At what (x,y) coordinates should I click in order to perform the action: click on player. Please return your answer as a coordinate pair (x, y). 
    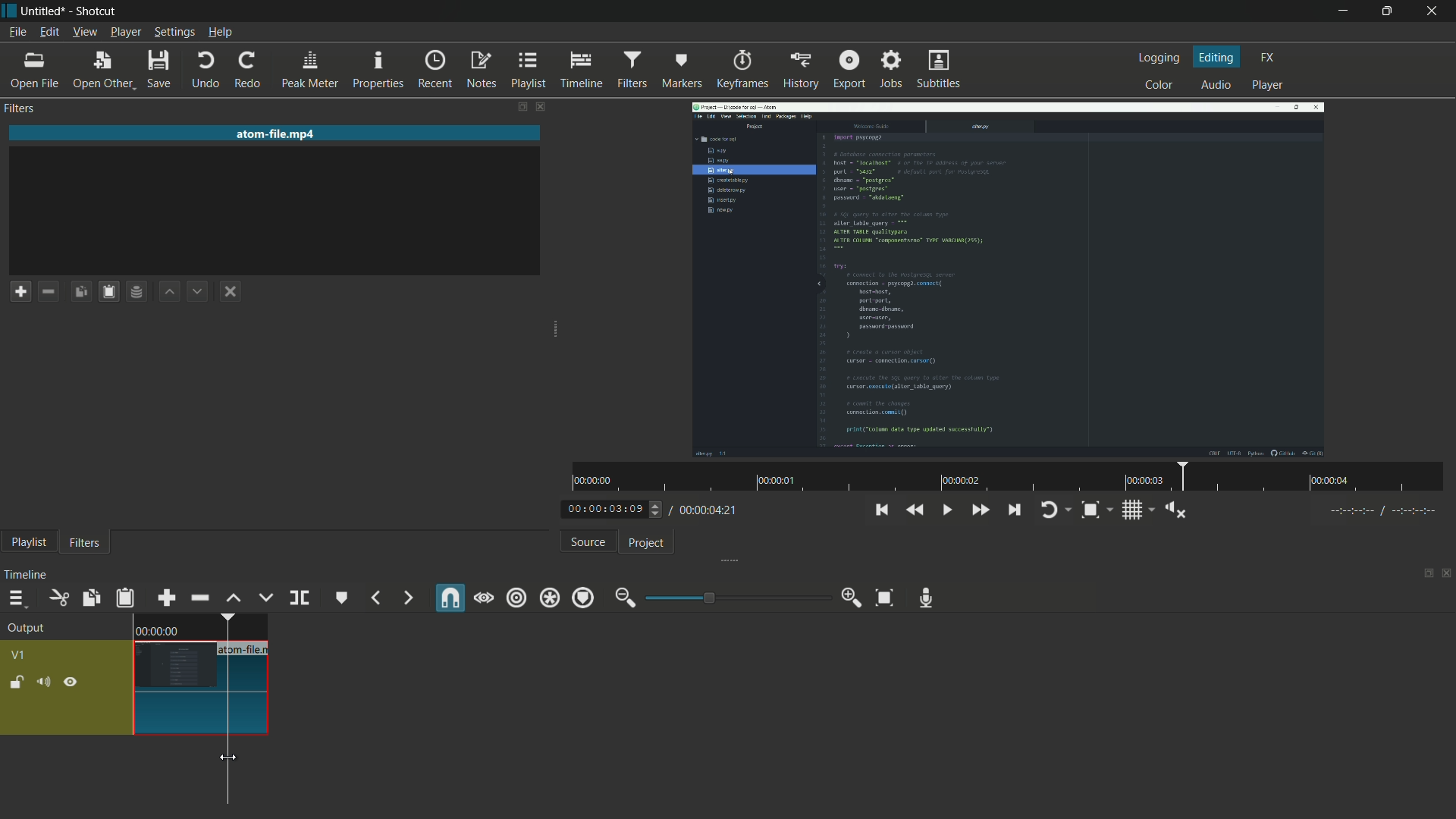
    Looking at the image, I should click on (1266, 86).